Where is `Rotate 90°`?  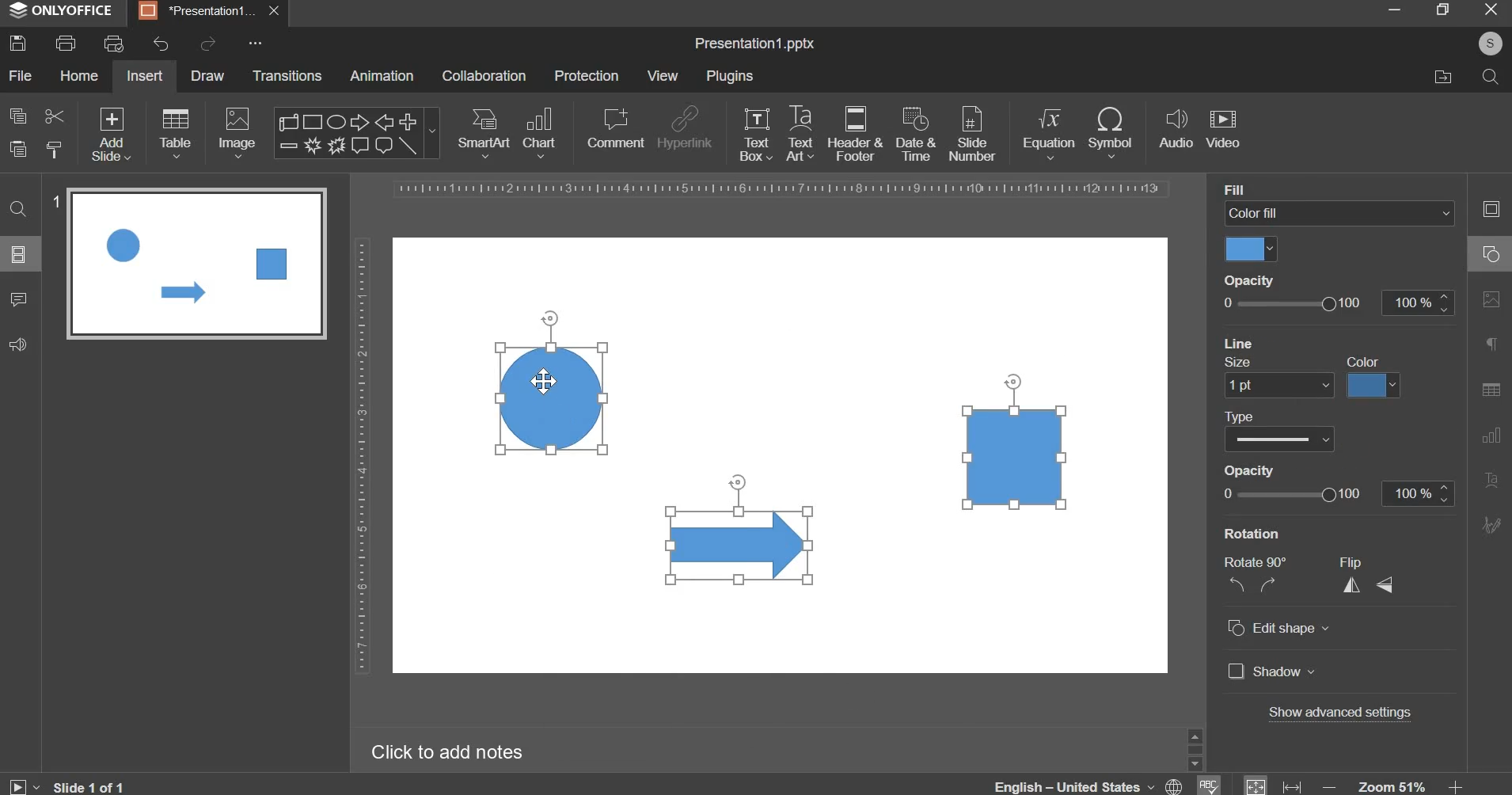
Rotate 90° is located at coordinates (1260, 562).